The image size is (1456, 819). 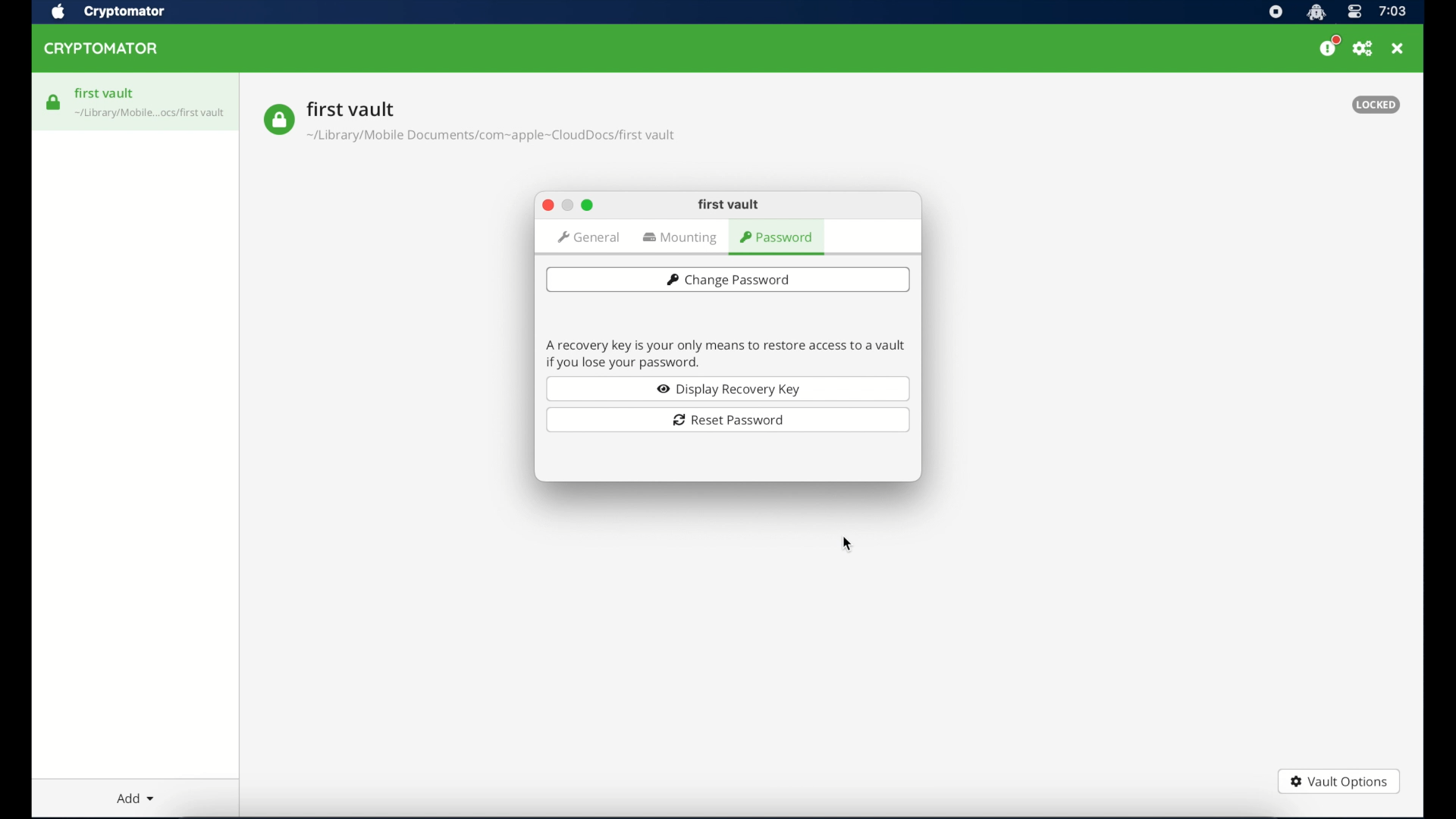 What do you see at coordinates (547, 206) in the screenshot?
I see `close` at bounding box center [547, 206].